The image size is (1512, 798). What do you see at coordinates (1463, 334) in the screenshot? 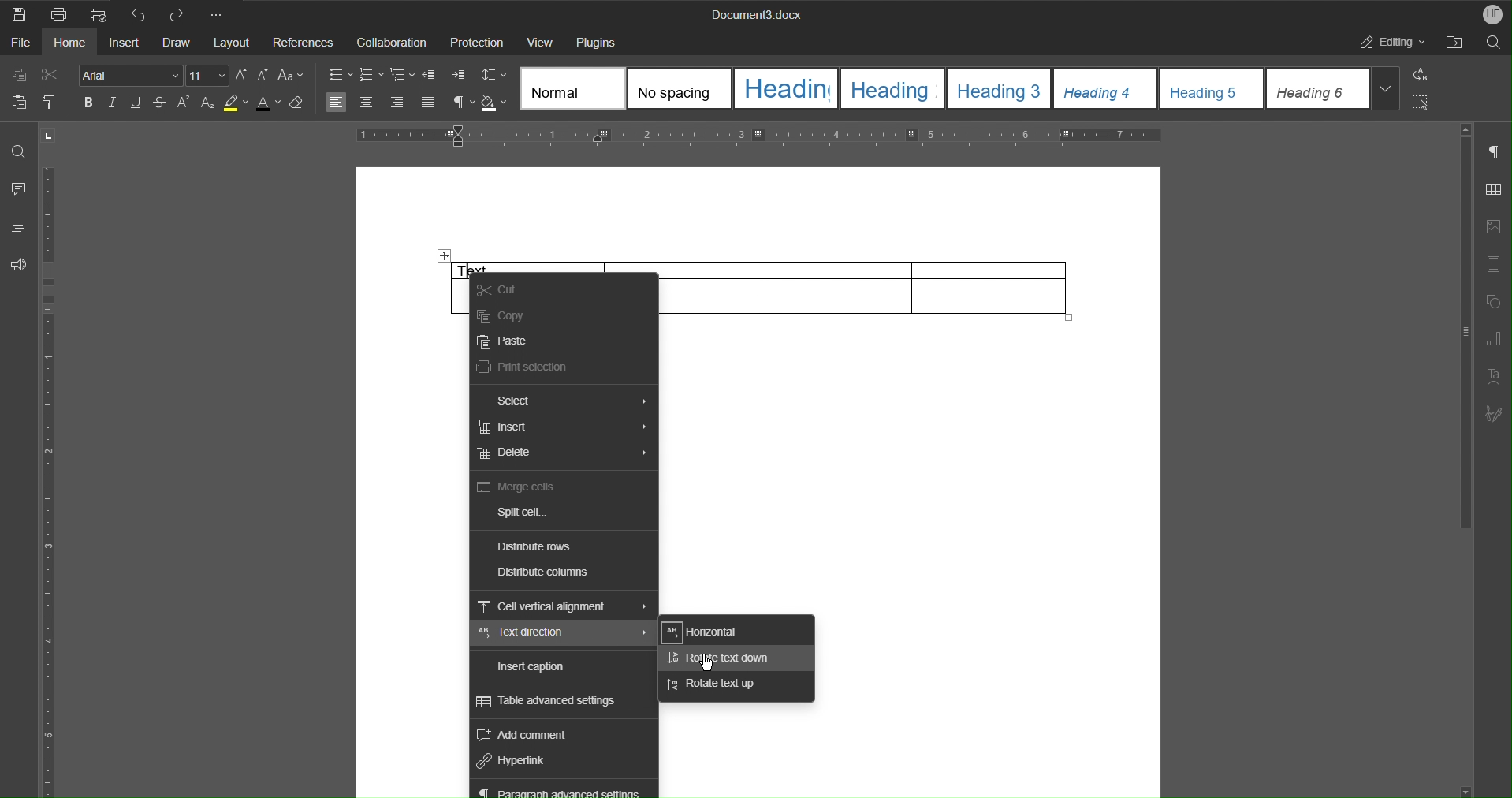
I see `vertical scroll bar` at bounding box center [1463, 334].